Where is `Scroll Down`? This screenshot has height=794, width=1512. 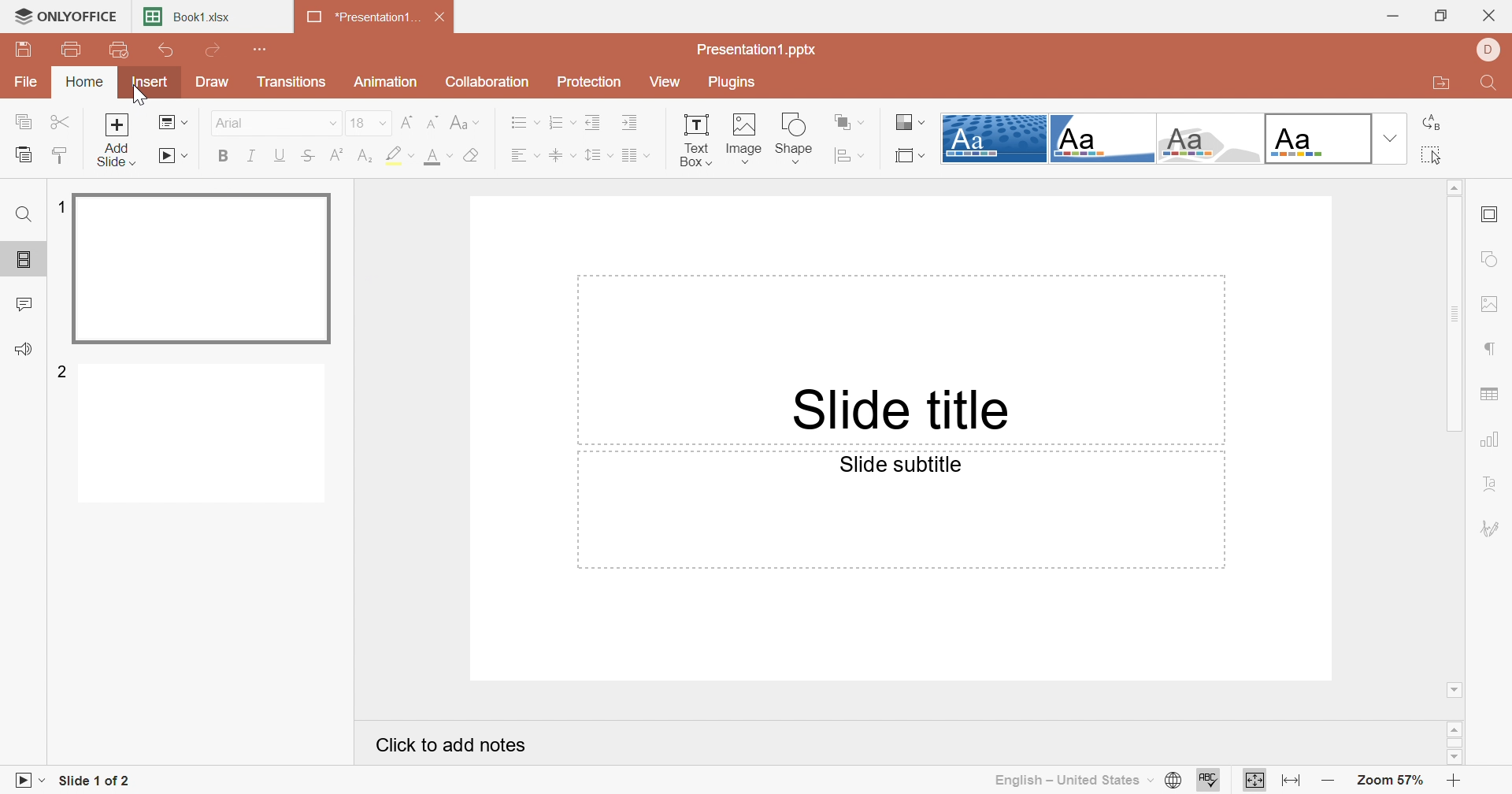
Scroll Down is located at coordinates (1451, 755).